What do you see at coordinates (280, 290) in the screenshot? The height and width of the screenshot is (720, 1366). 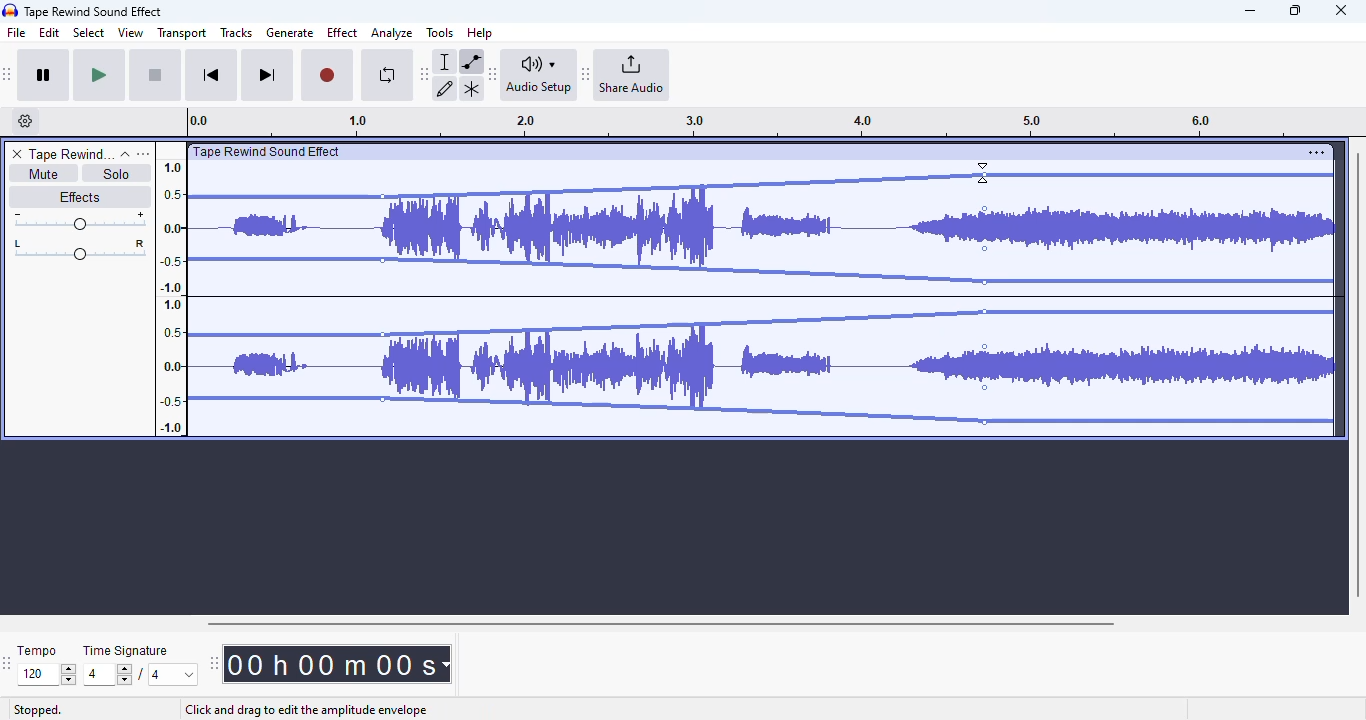 I see `Volume of the track reduced` at bounding box center [280, 290].